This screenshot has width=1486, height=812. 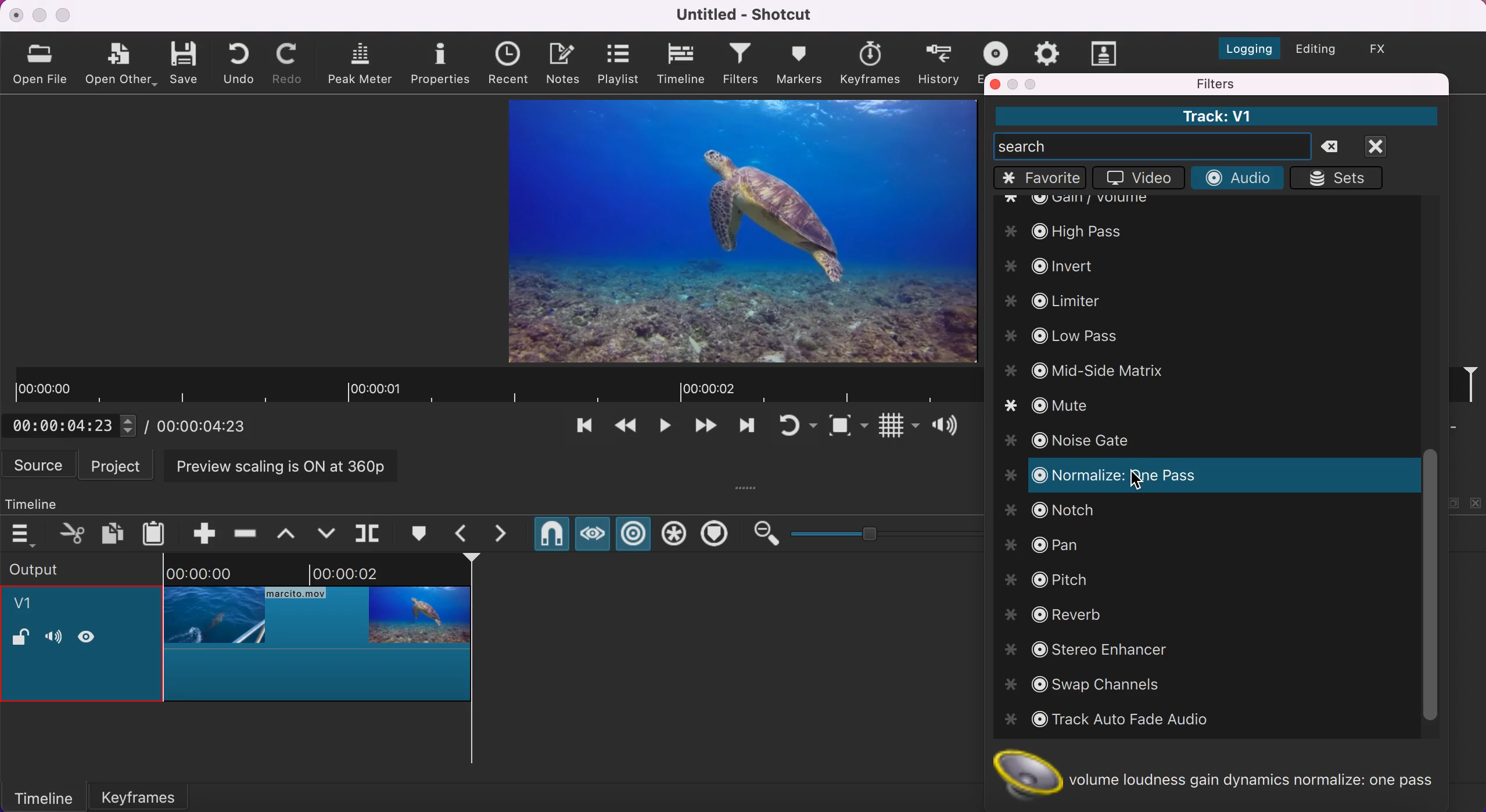 I want to click on ripple all tracks, so click(x=674, y=536).